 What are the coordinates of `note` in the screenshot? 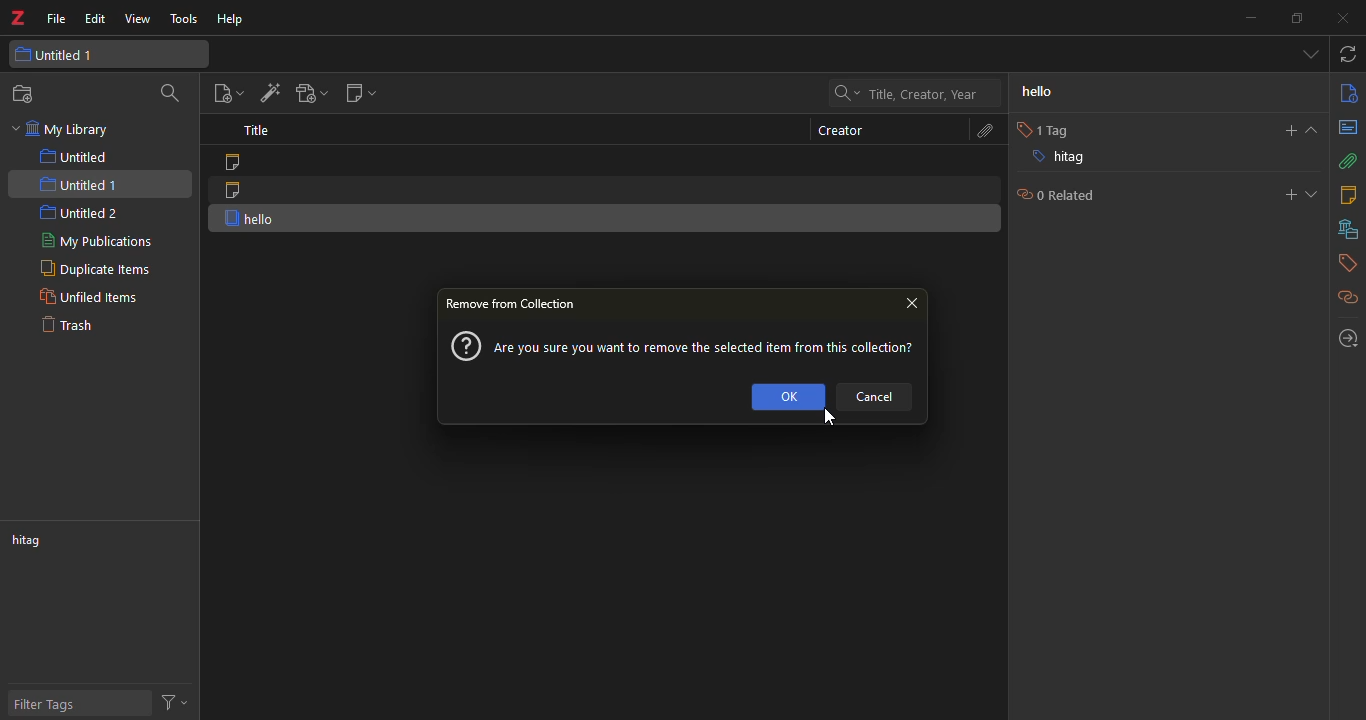 It's located at (231, 163).